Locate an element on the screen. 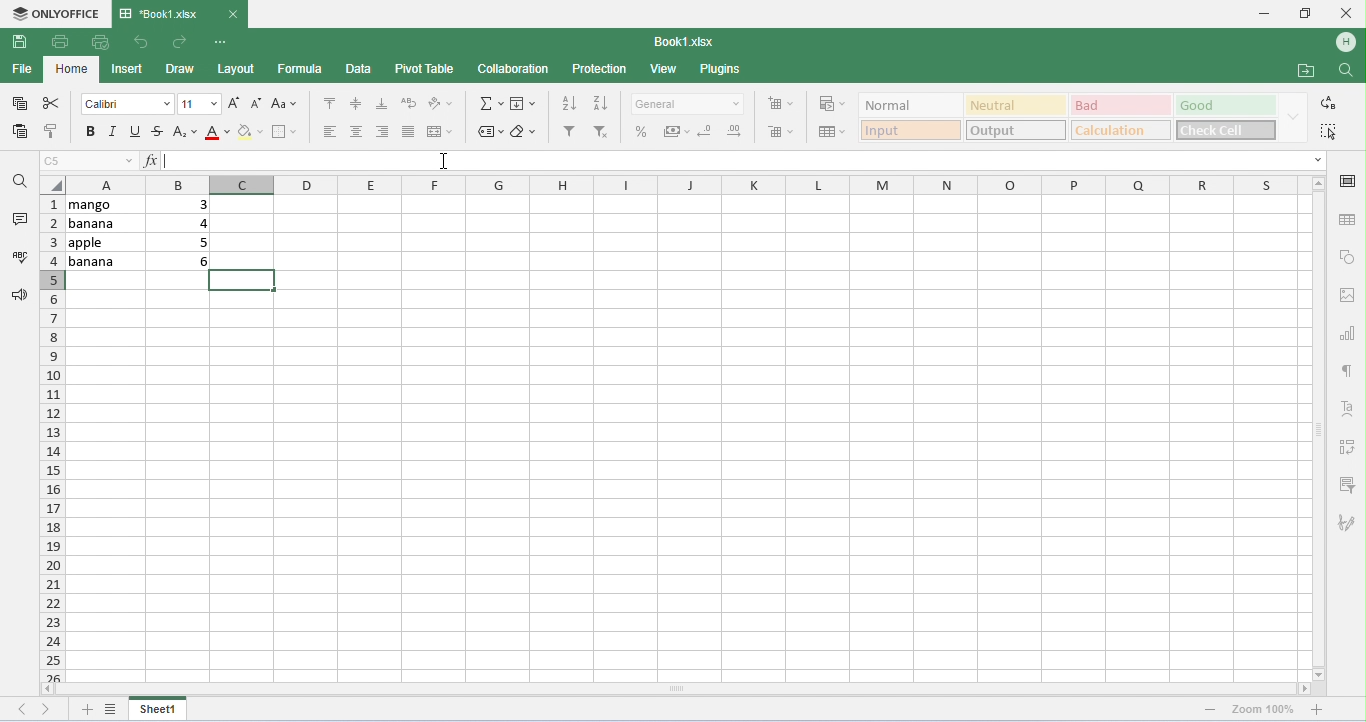 This screenshot has width=1366, height=722. select all cells is located at coordinates (52, 184).